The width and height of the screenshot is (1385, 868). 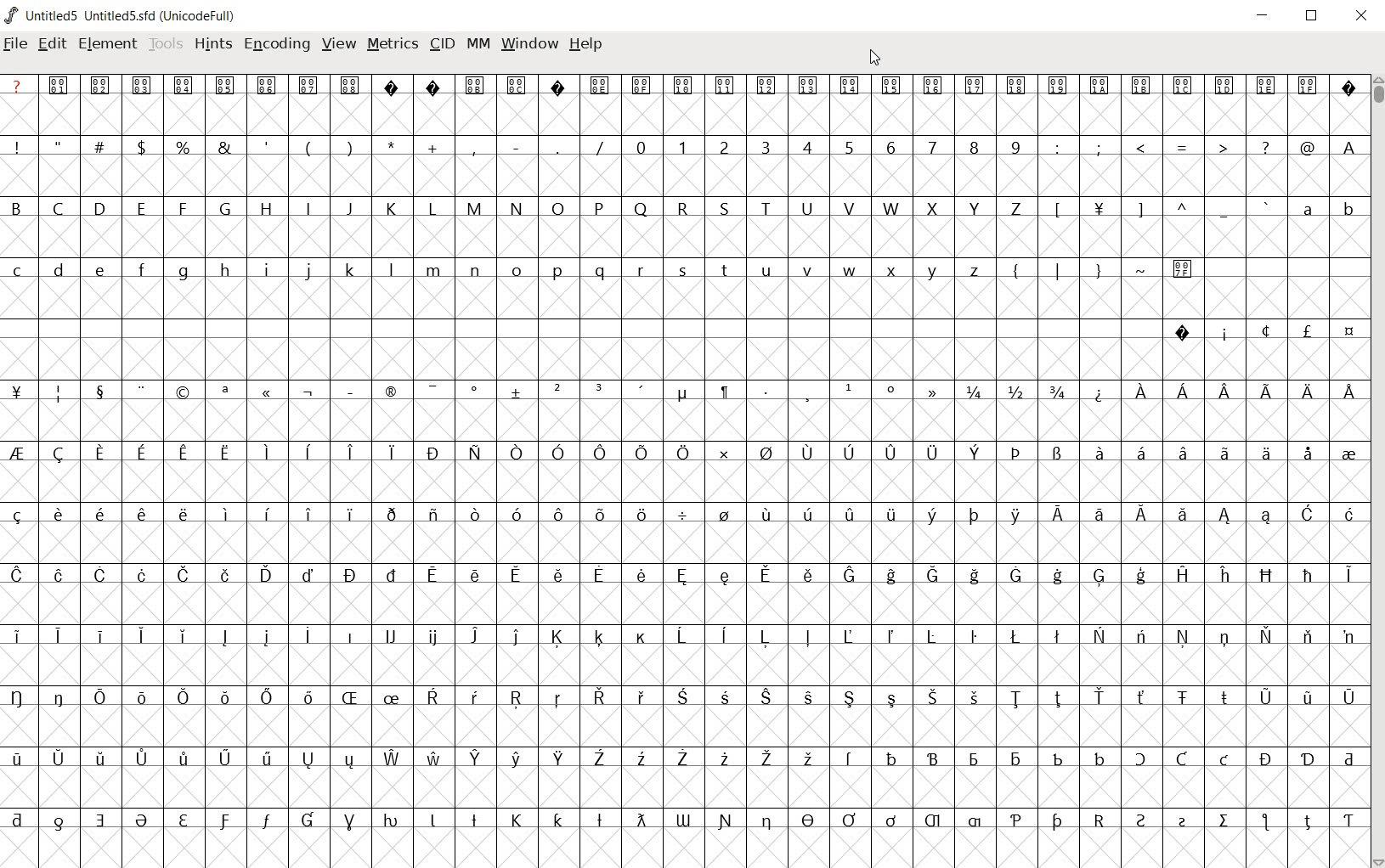 I want to click on Symbol, so click(x=1225, y=822).